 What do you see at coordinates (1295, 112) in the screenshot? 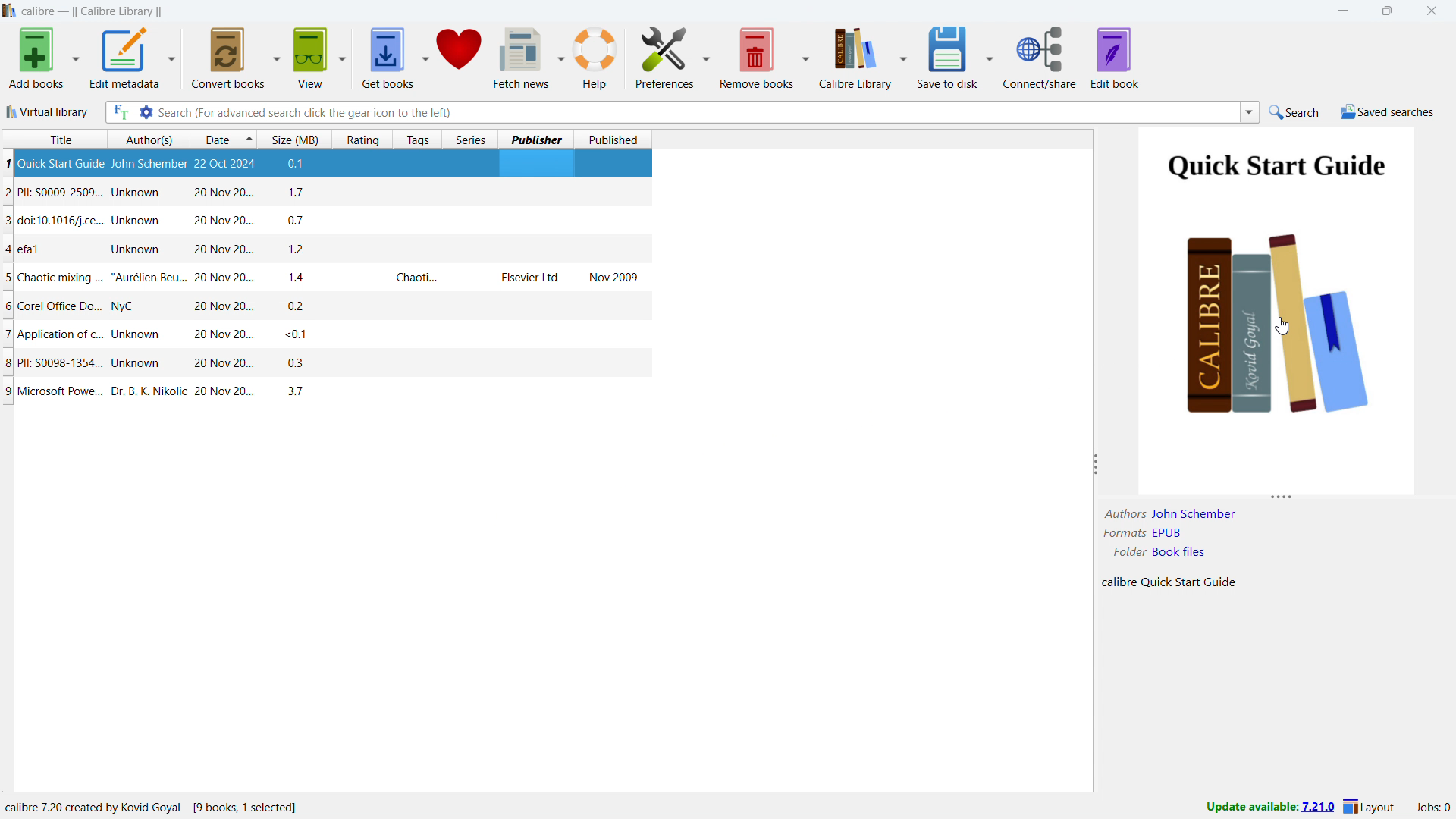
I see `do a quick search` at bounding box center [1295, 112].